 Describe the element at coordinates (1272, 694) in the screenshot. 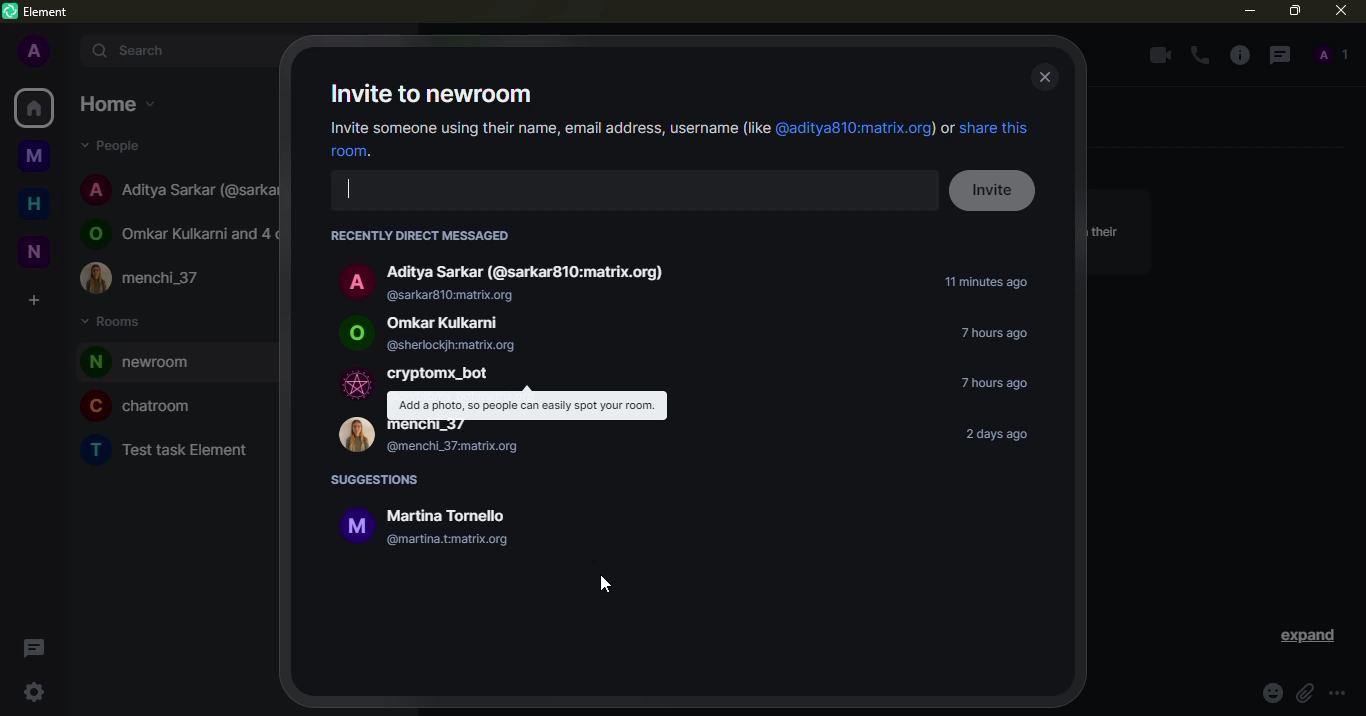

I see `emoji` at that location.